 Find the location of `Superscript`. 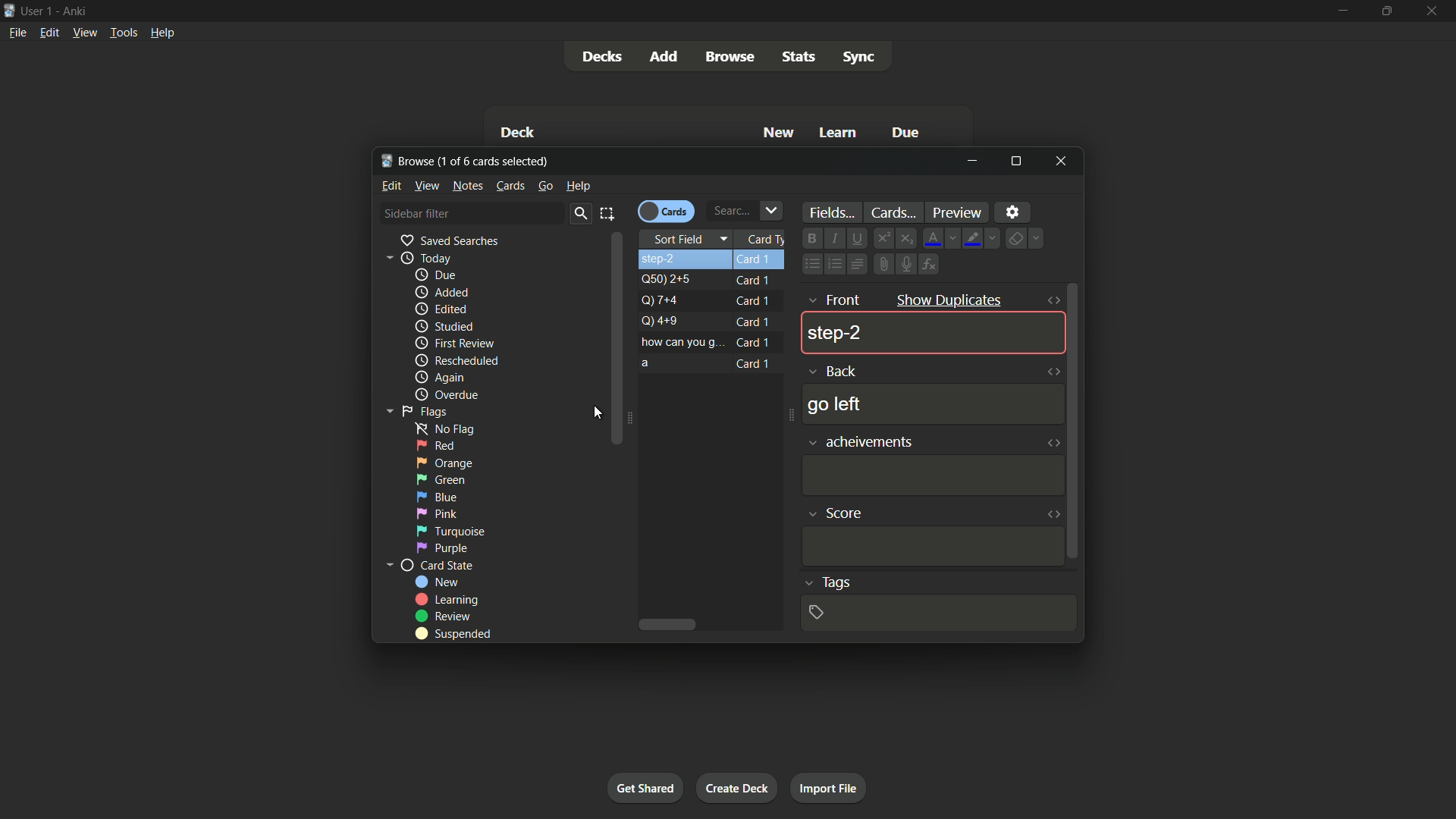

Superscript is located at coordinates (883, 238).